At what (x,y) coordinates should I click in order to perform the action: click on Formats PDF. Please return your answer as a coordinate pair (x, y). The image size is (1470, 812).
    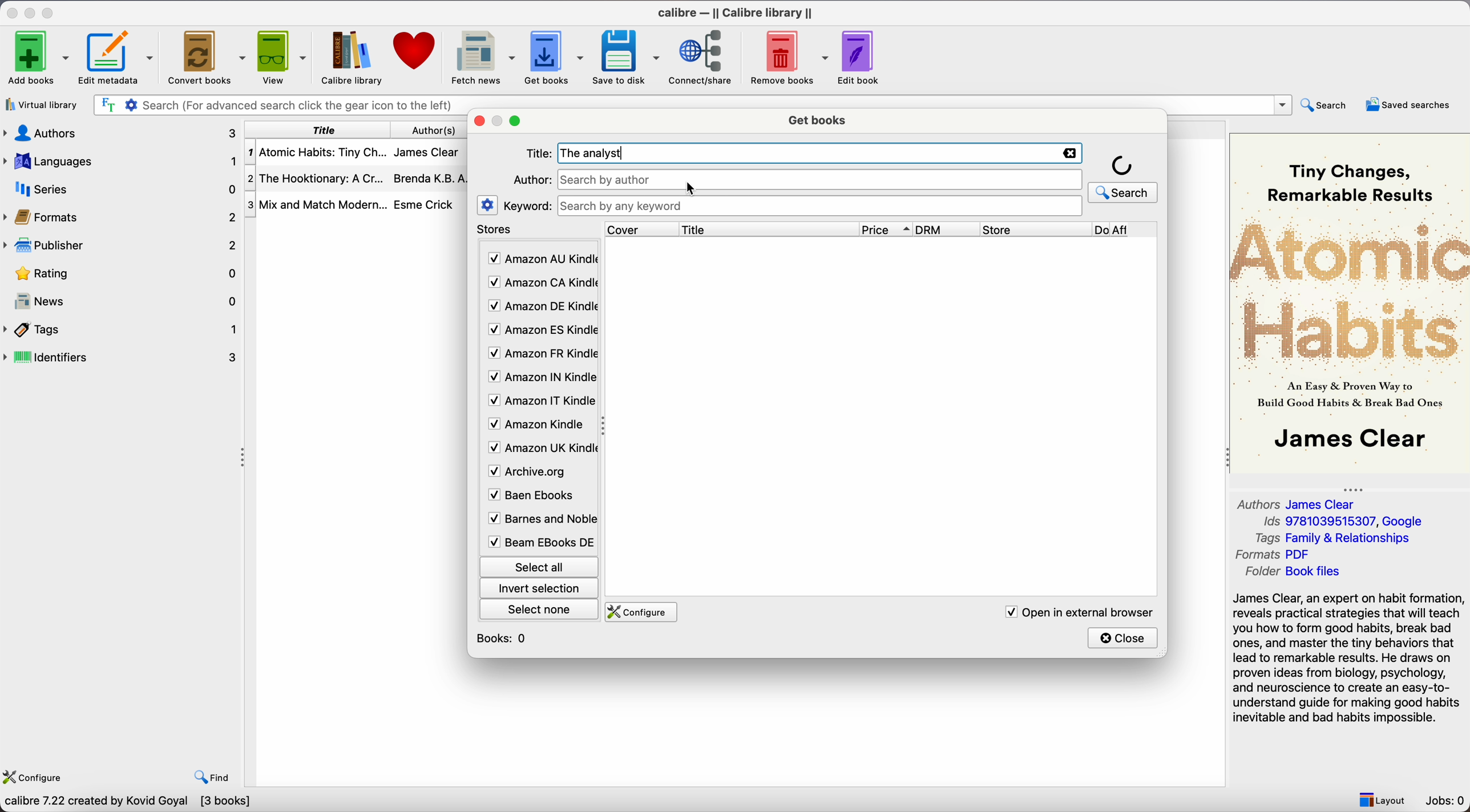
    Looking at the image, I should click on (1283, 555).